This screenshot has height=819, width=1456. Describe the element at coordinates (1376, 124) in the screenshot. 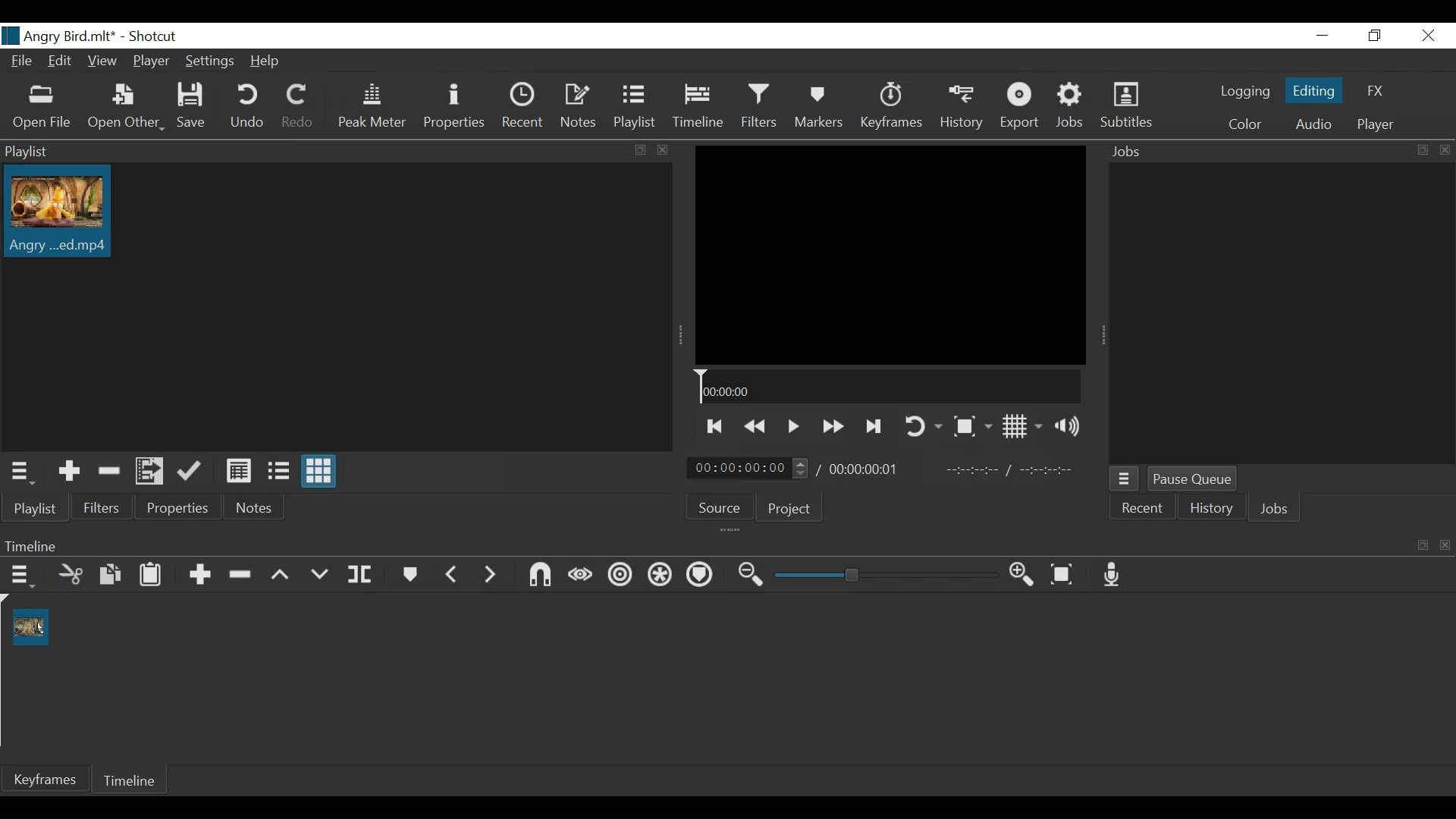

I see `player` at that location.